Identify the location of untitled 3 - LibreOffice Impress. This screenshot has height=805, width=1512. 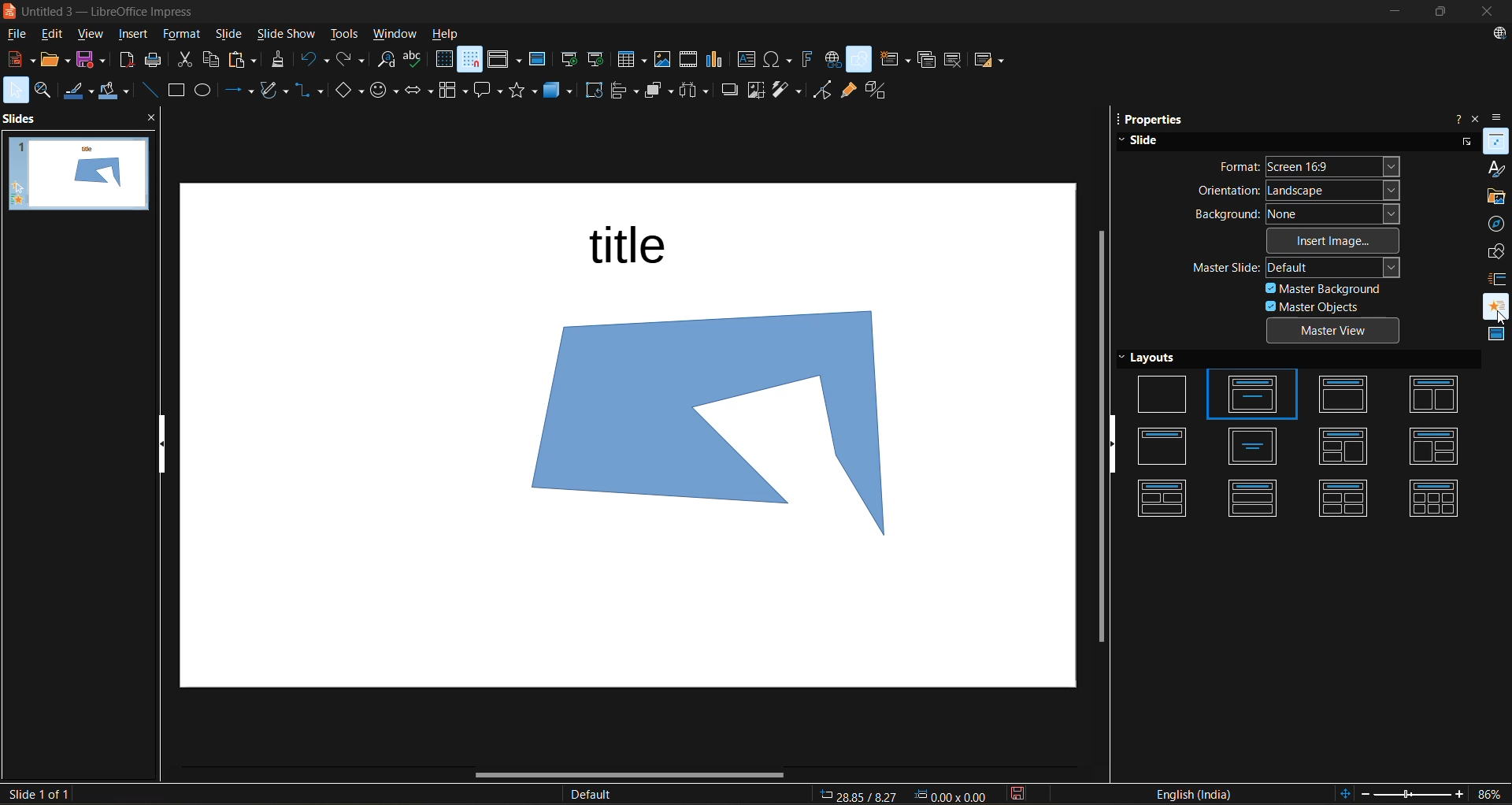
(124, 9).